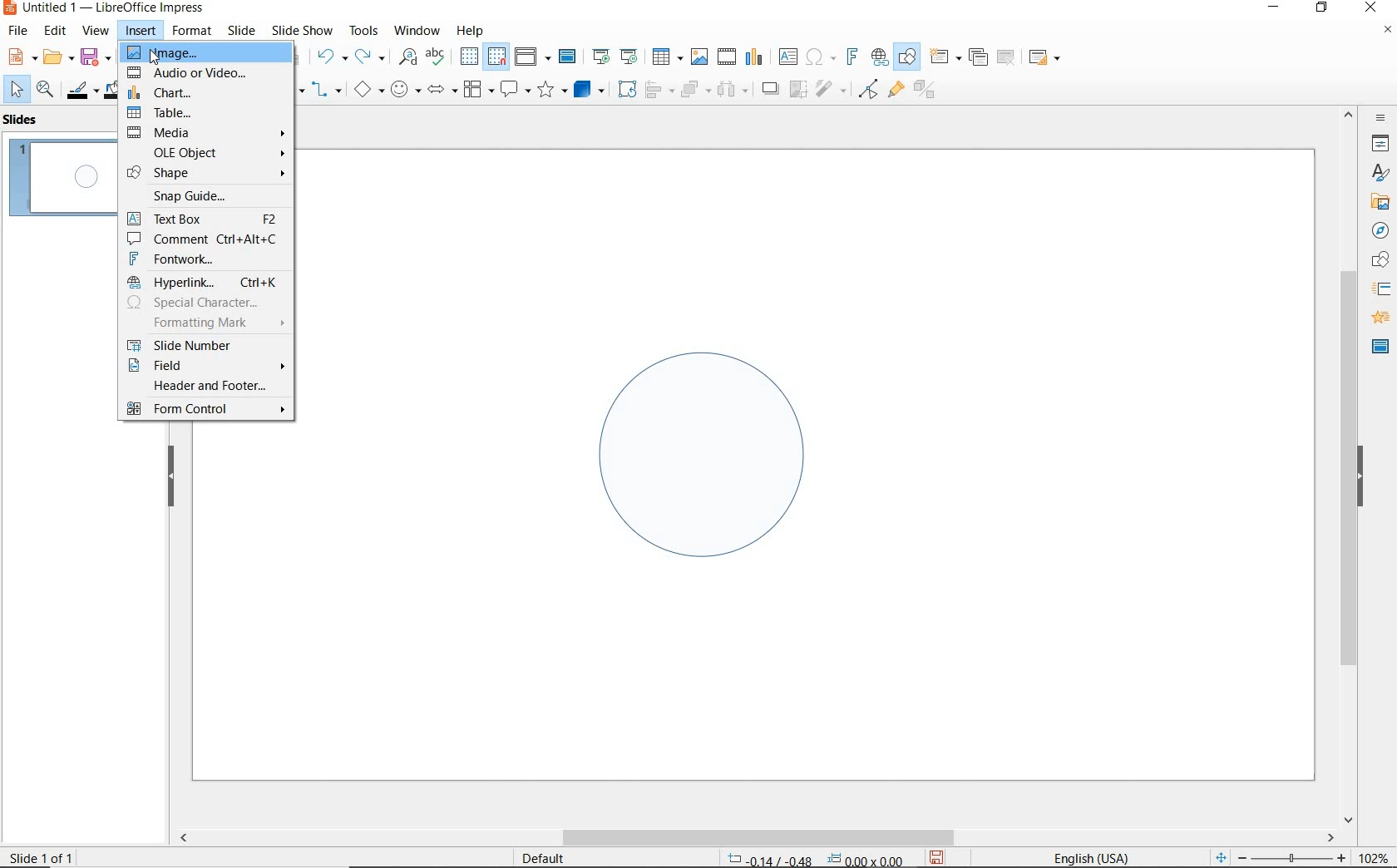 The height and width of the screenshot is (868, 1397). I want to click on filter, so click(868, 86).